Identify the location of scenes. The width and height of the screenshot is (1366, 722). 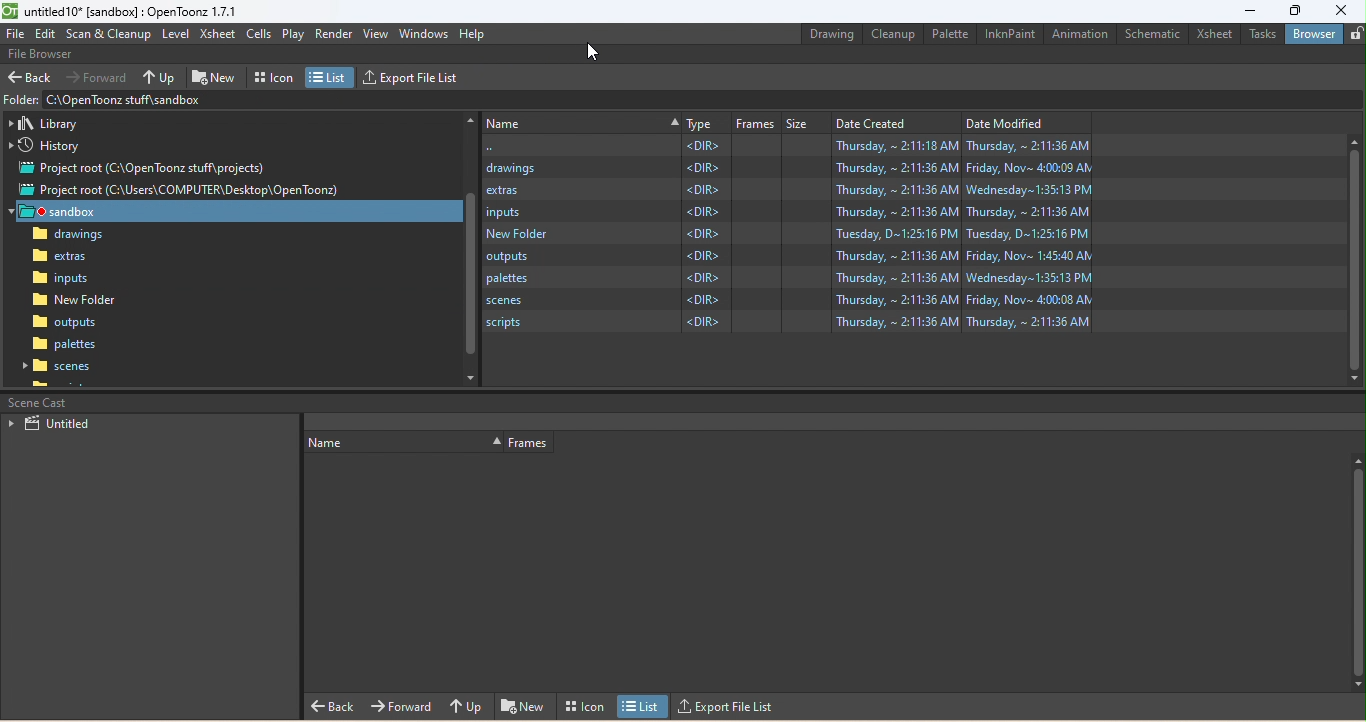
(787, 280).